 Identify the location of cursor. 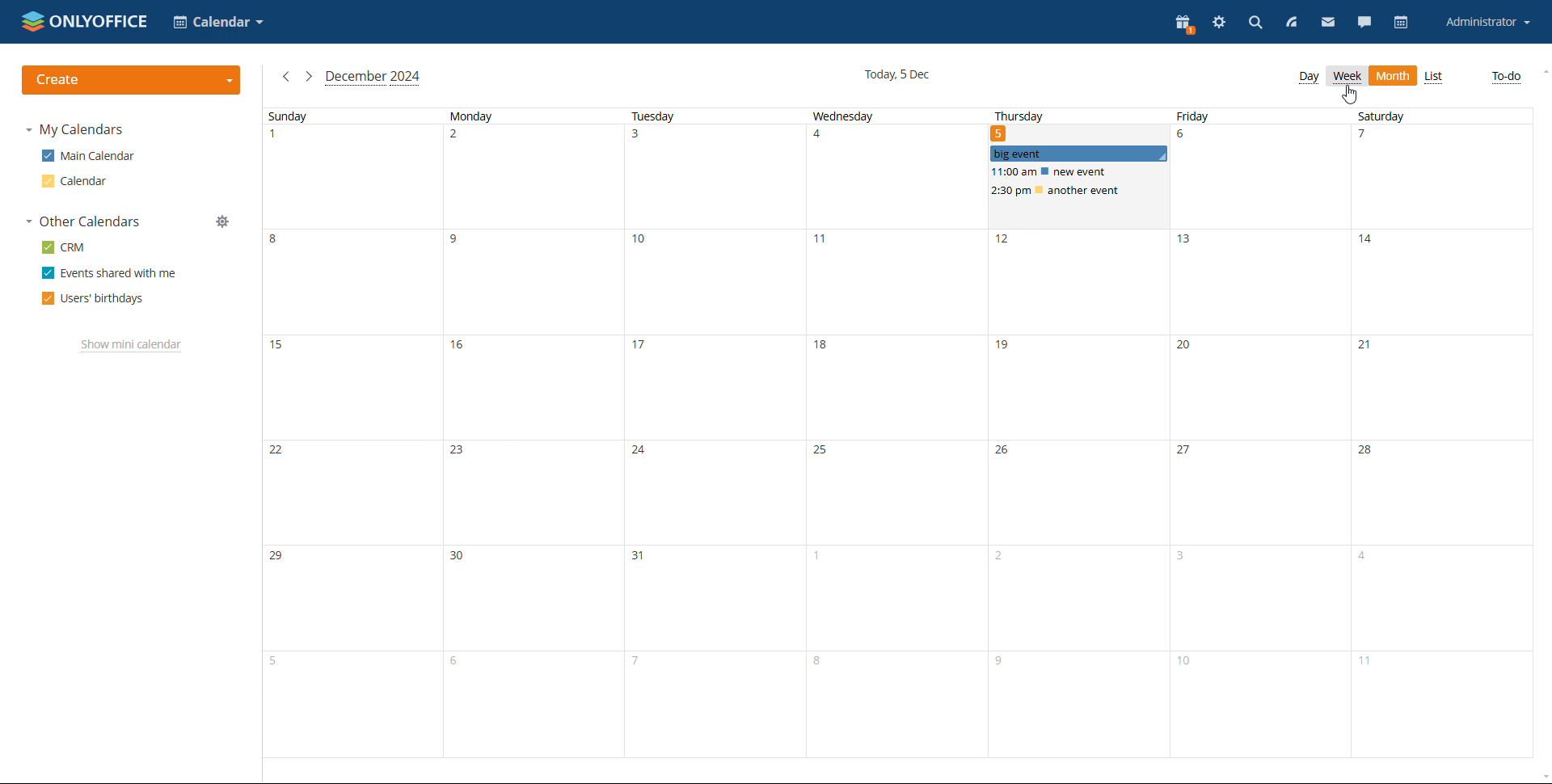
(1350, 95).